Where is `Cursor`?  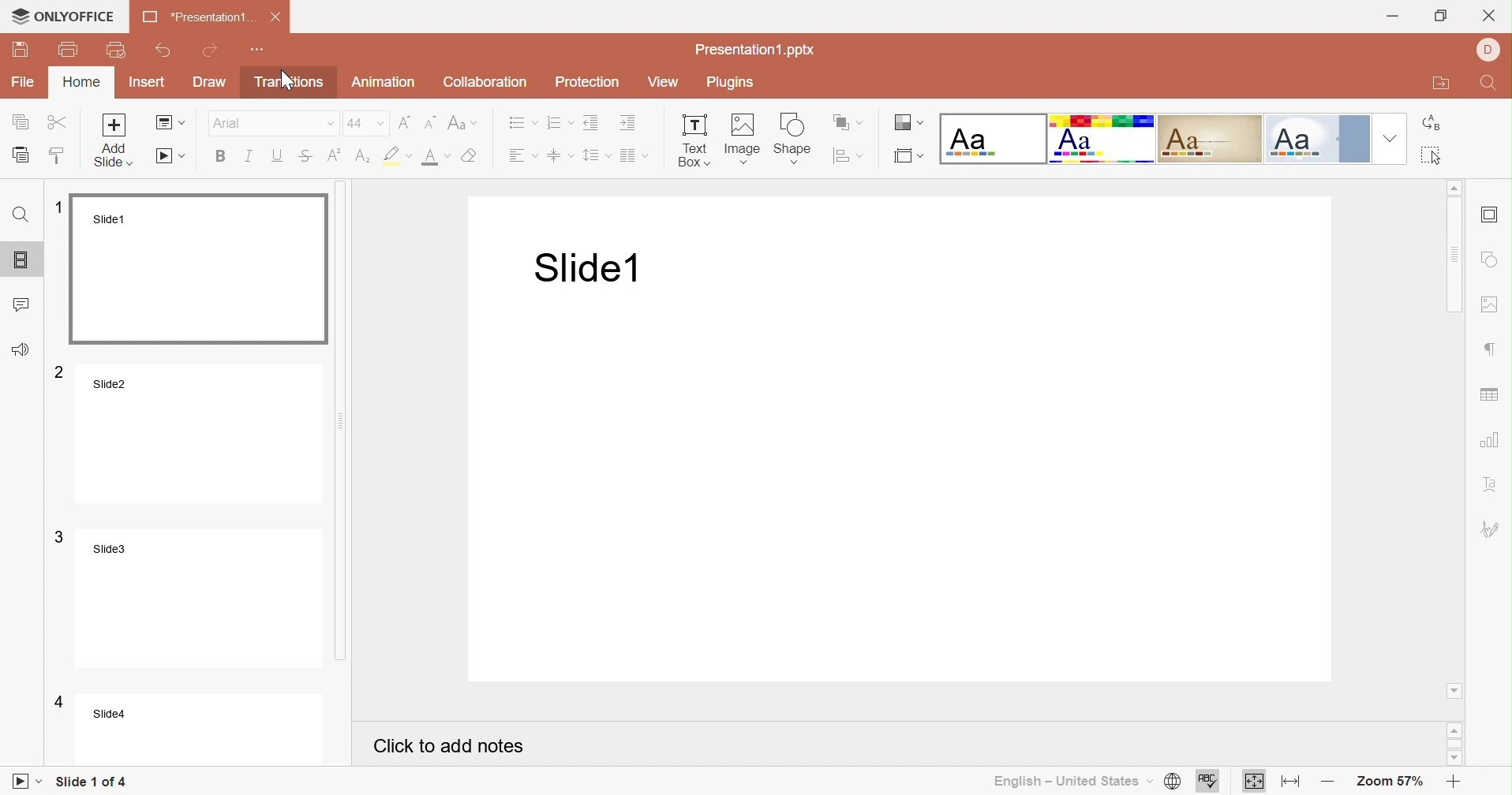 Cursor is located at coordinates (284, 80).